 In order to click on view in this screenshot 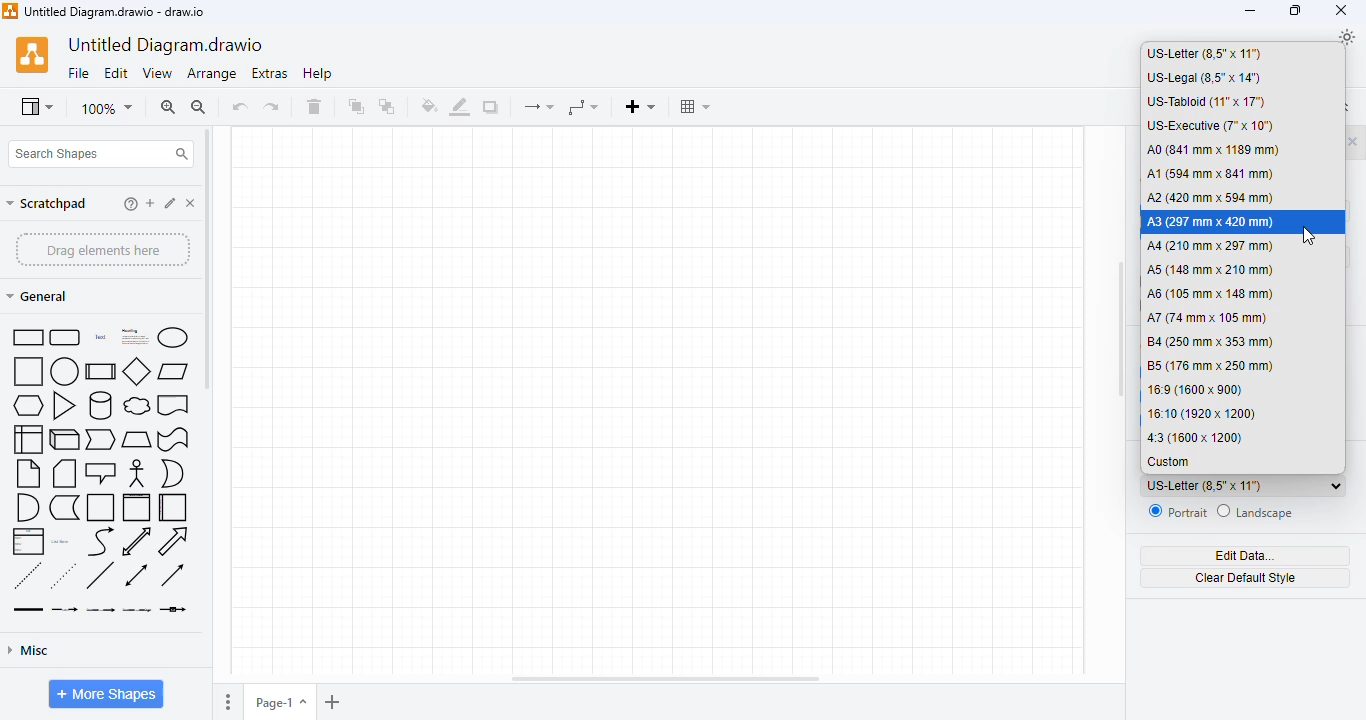, I will do `click(157, 73)`.